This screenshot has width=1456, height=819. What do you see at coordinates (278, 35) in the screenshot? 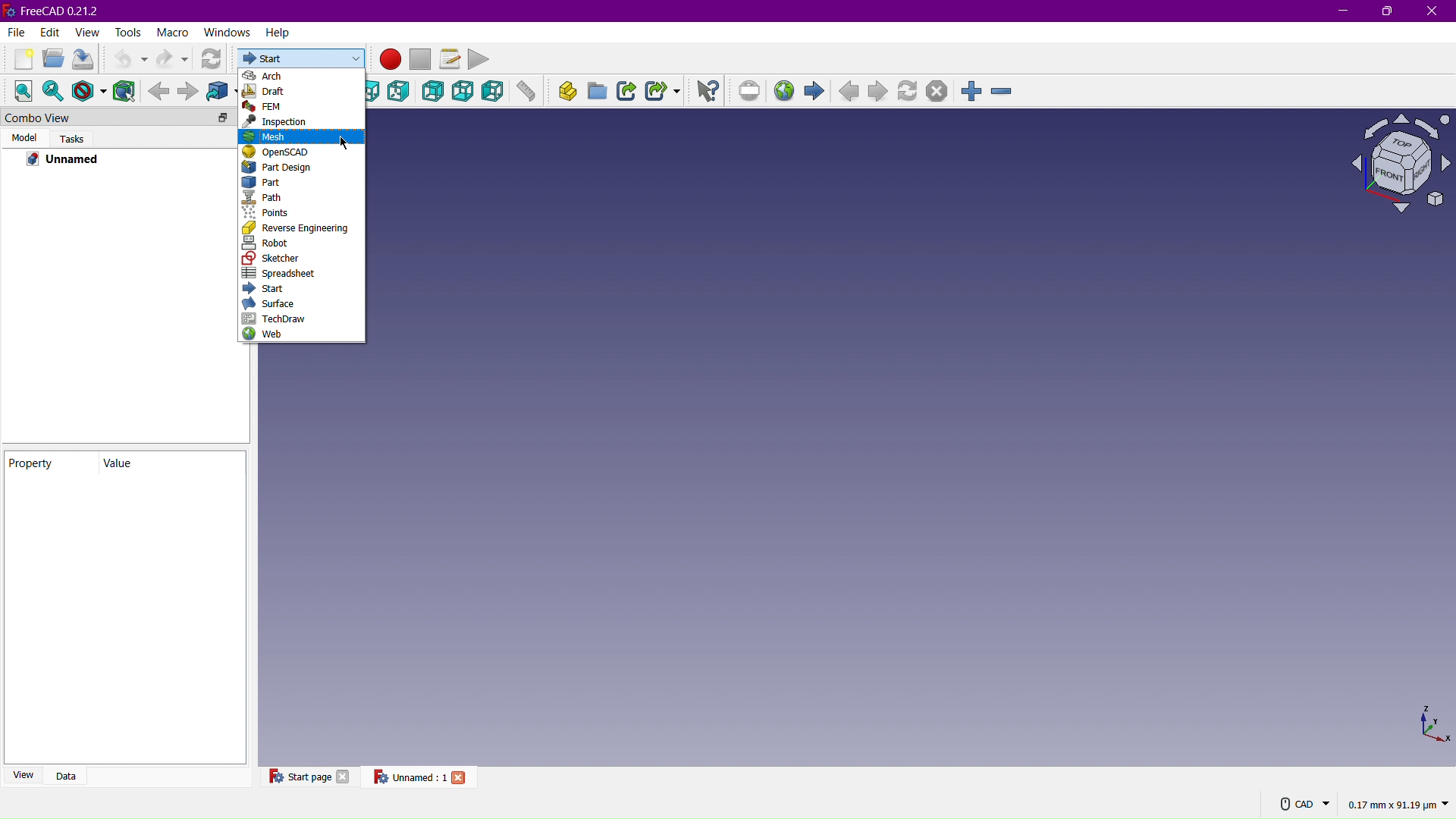
I see `Help` at bounding box center [278, 35].